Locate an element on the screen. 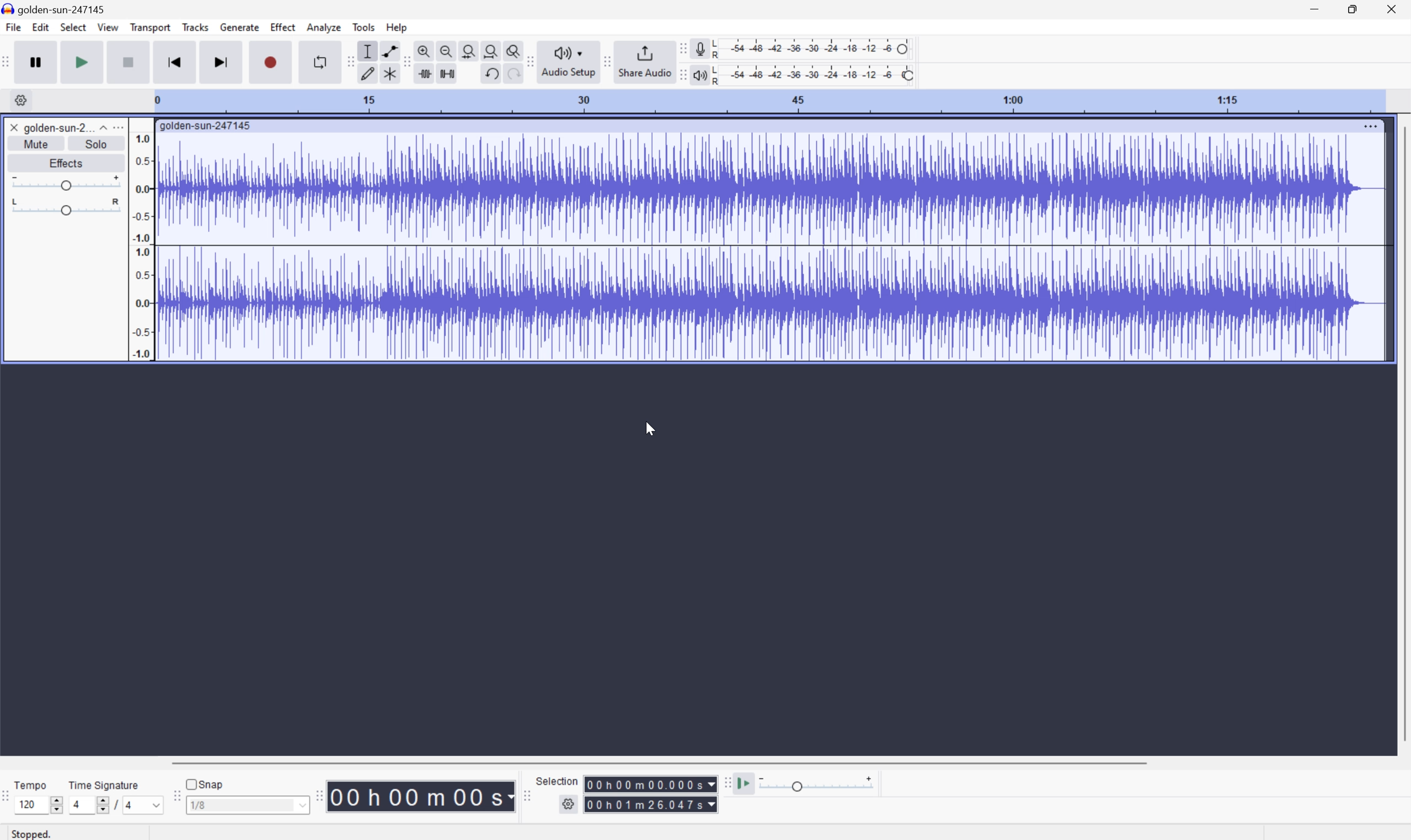 The width and height of the screenshot is (1411, 840). Audacity selection toolbar is located at coordinates (525, 794).